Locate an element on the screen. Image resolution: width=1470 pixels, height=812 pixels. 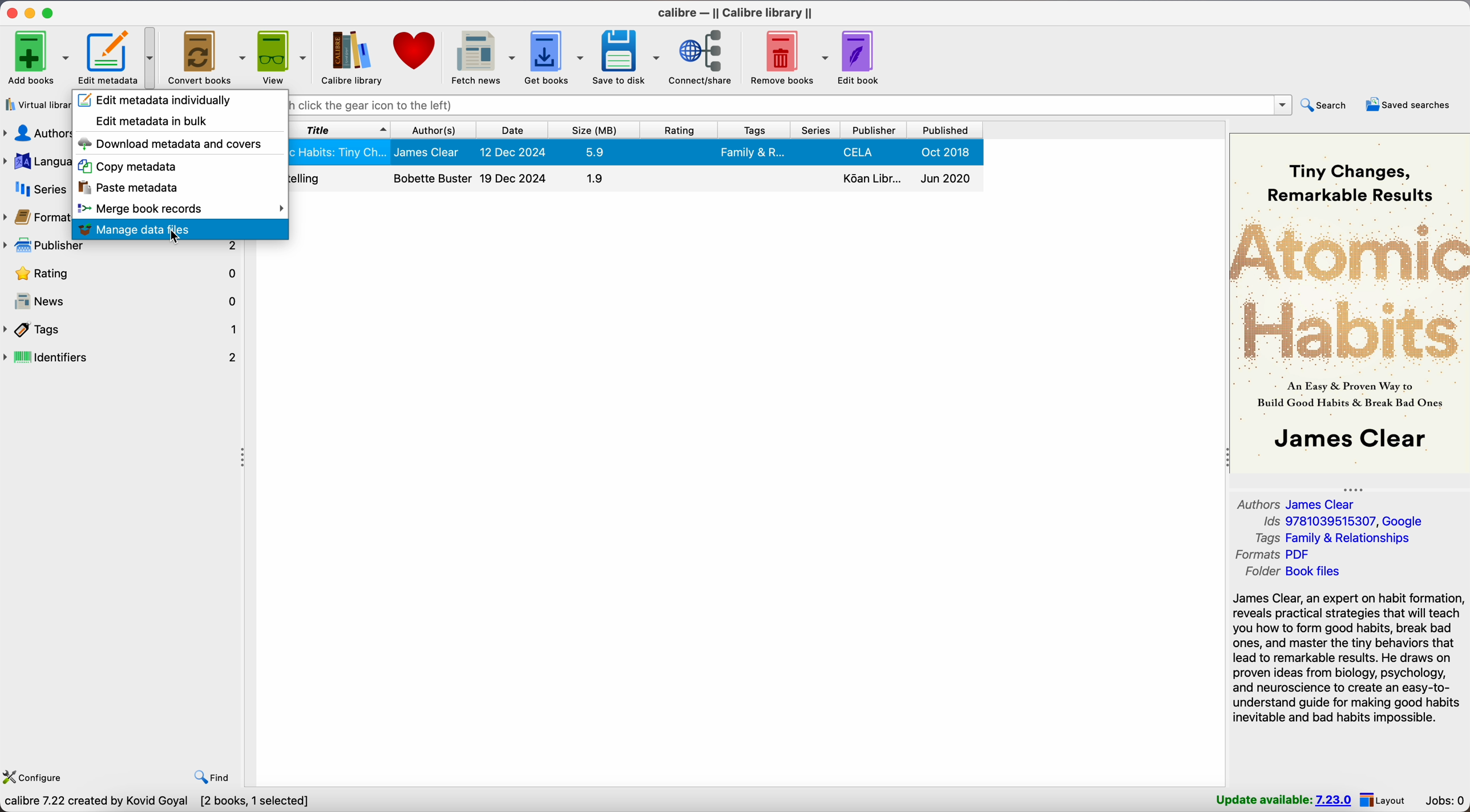
tags is located at coordinates (753, 130).